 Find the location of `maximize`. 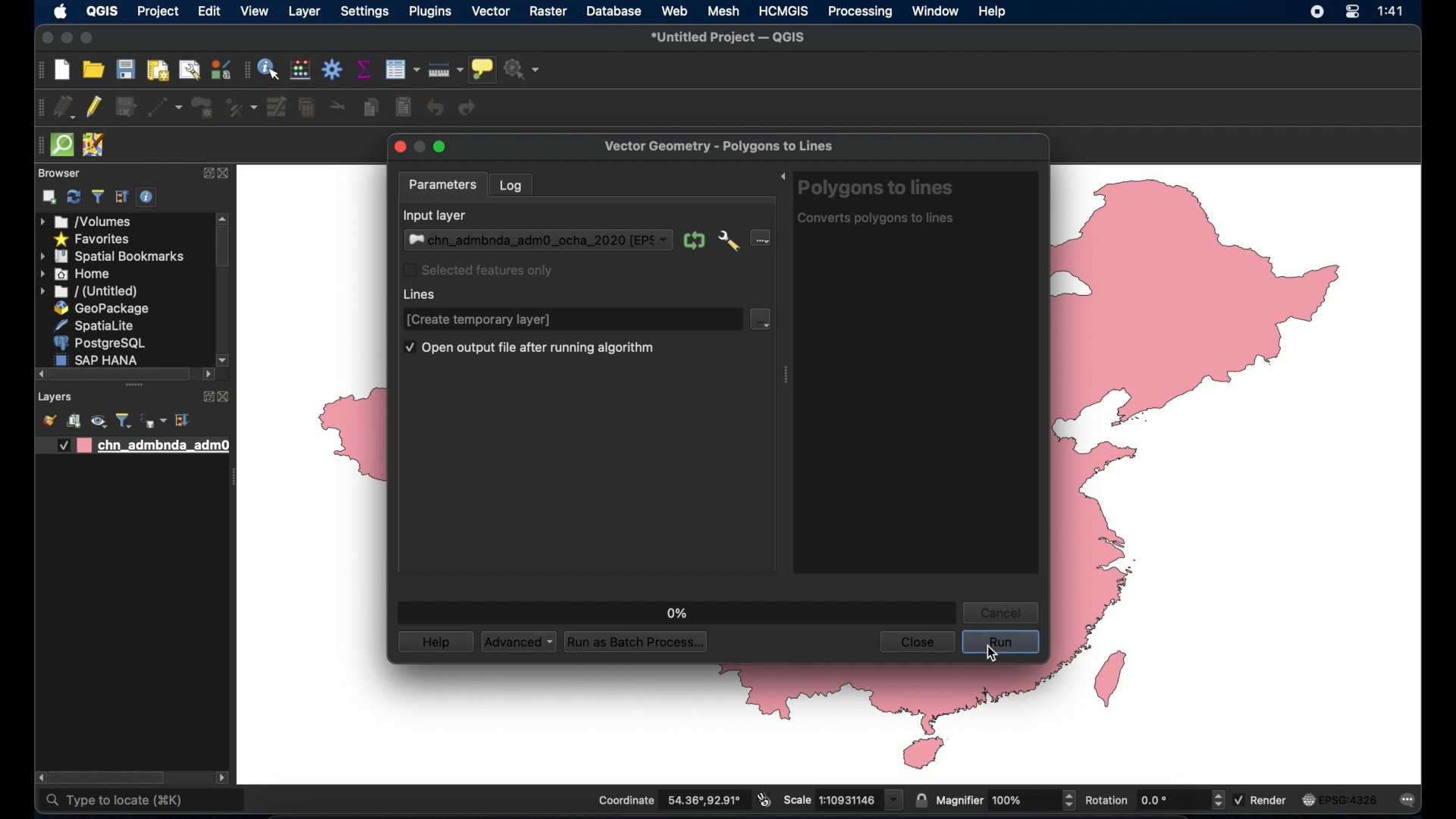

maximize is located at coordinates (441, 146).